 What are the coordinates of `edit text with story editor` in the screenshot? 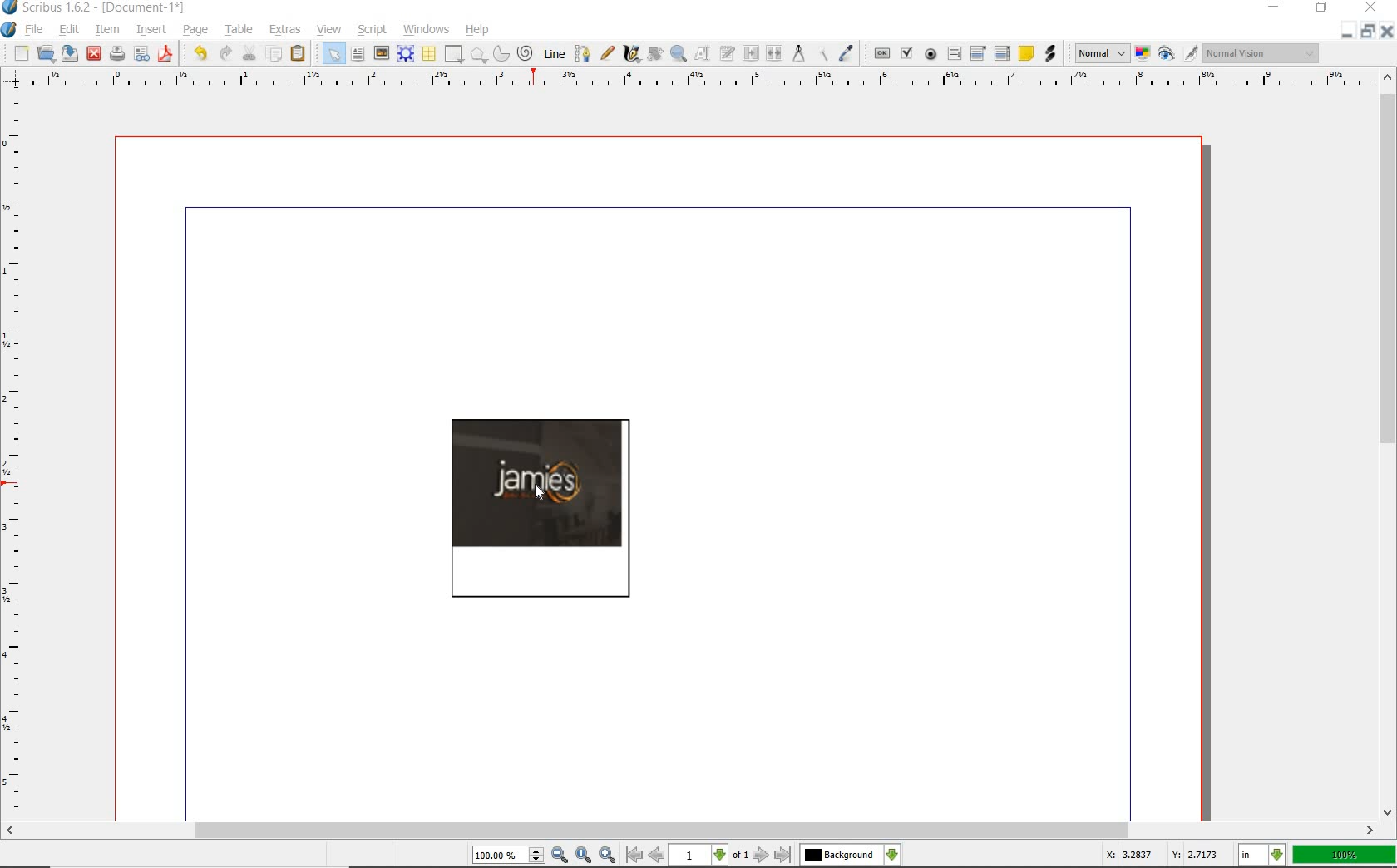 It's located at (727, 52).